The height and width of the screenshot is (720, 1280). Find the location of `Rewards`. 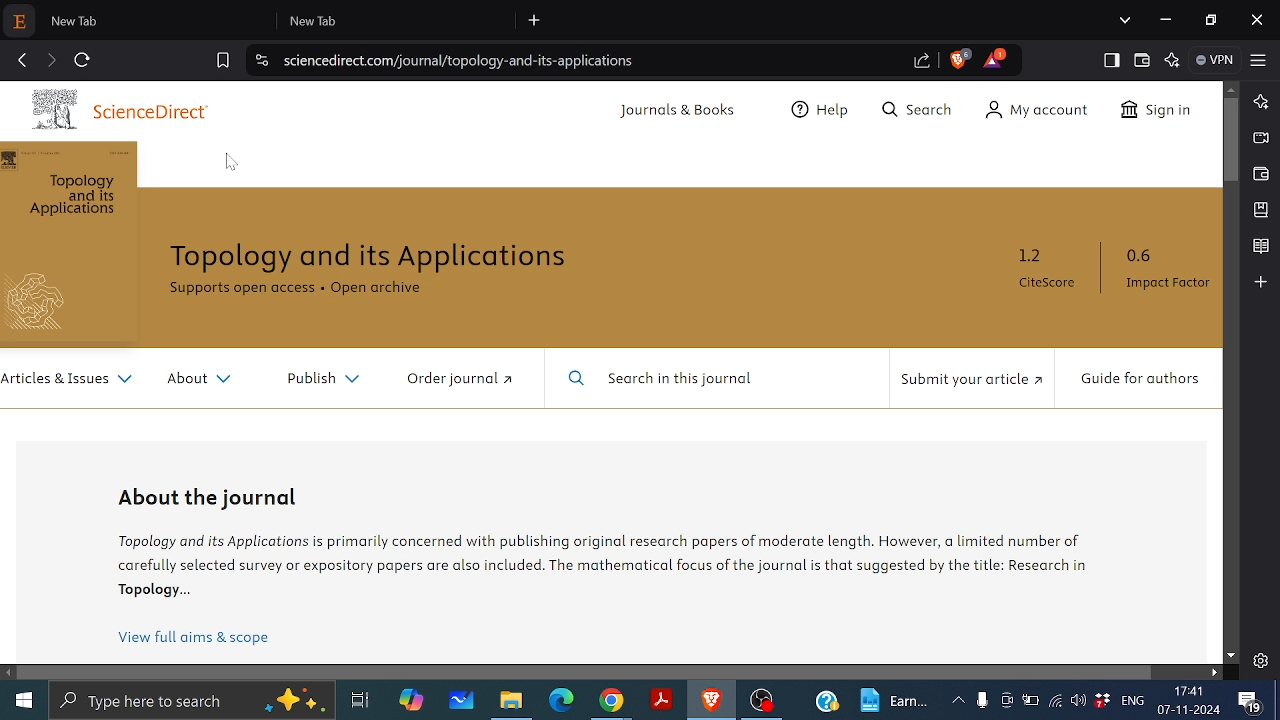

Rewards is located at coordinates (994, 58).